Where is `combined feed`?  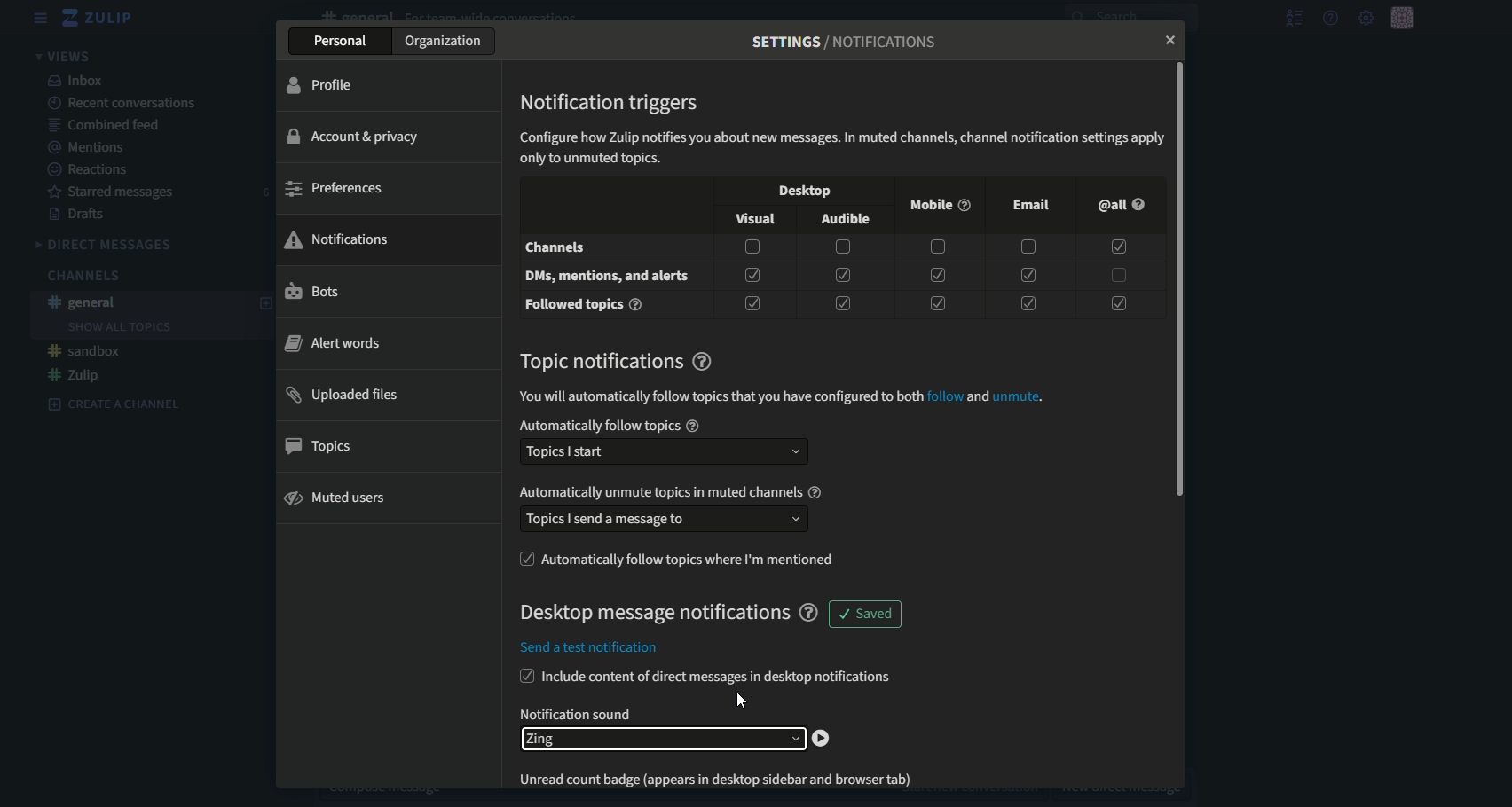
combined feed is located at coordinates (108, 124).